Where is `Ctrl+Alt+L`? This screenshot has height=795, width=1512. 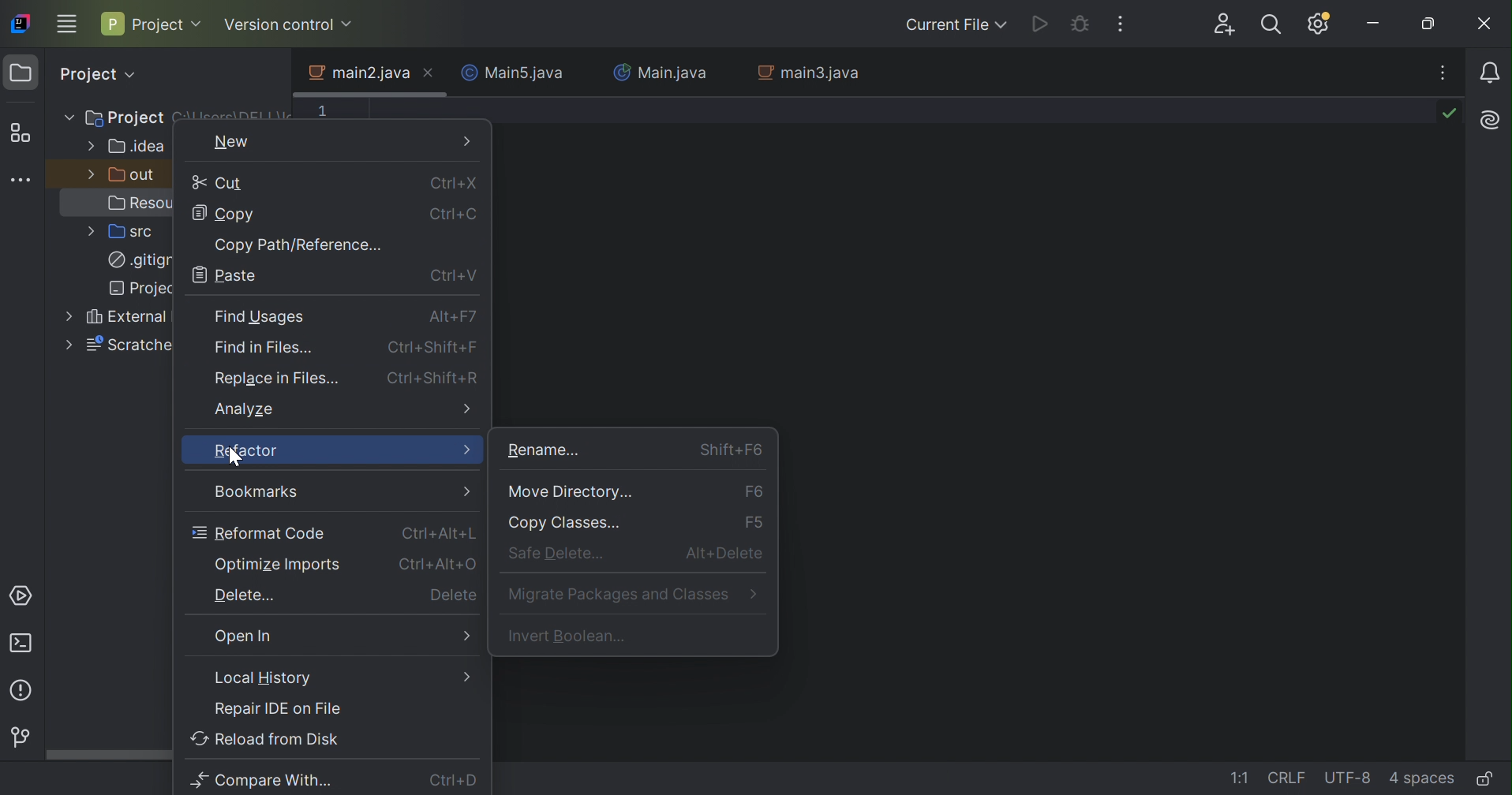
Ctrl+Alt+L is located at coordinates (438, 534).